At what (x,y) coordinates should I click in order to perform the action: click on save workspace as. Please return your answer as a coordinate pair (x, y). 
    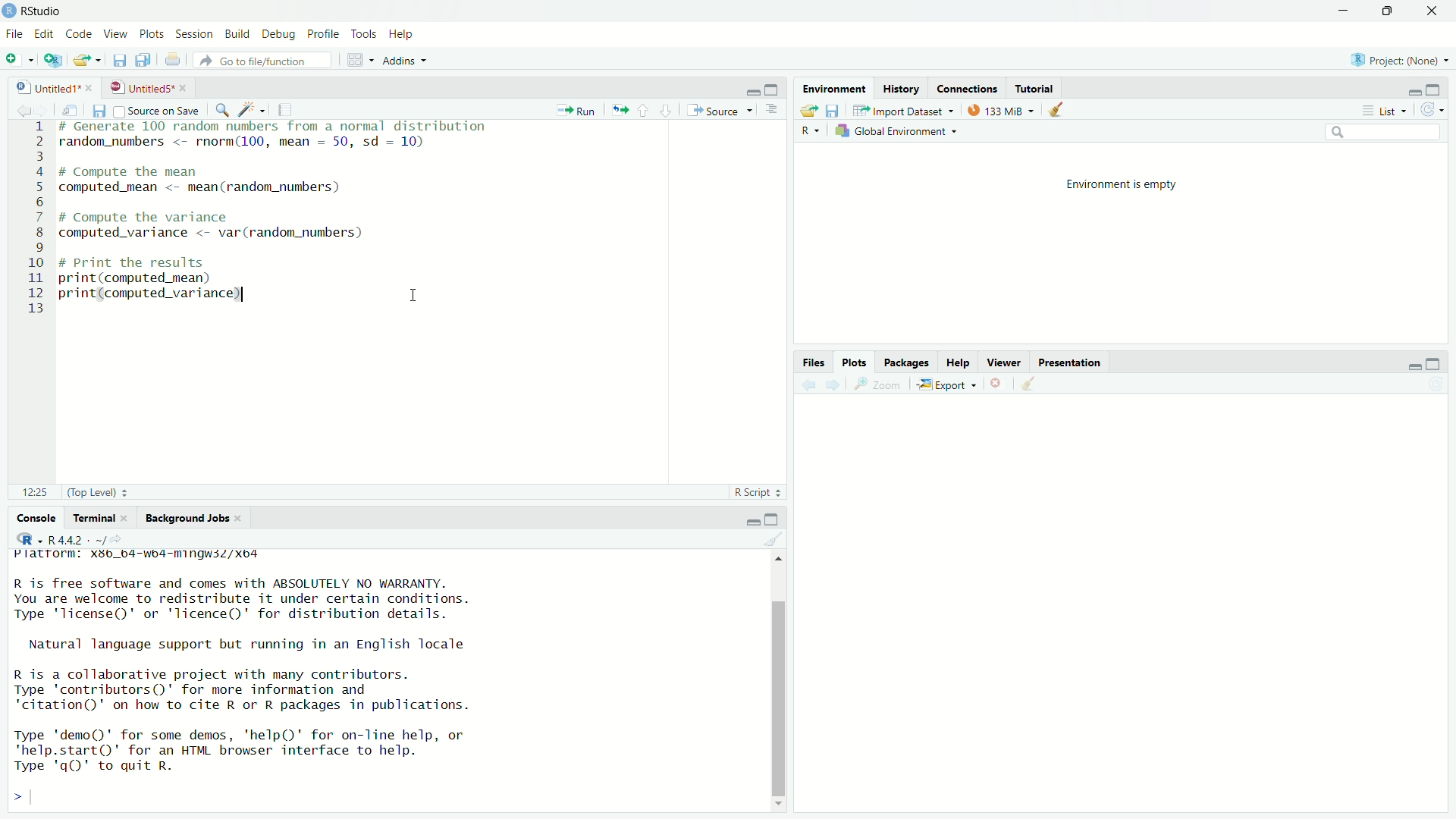
    Looking at the image, I should click on (836, 111).